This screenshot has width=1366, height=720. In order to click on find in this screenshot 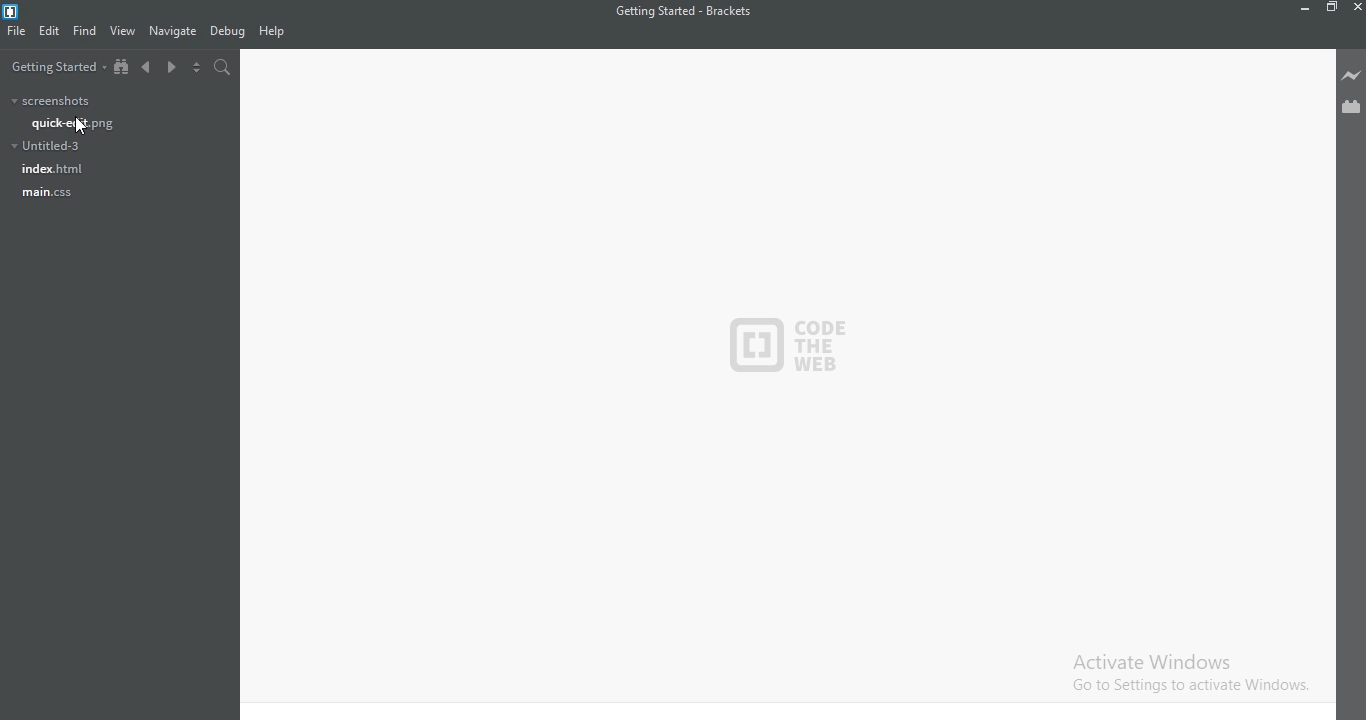, I will do `click(83, 31)`.